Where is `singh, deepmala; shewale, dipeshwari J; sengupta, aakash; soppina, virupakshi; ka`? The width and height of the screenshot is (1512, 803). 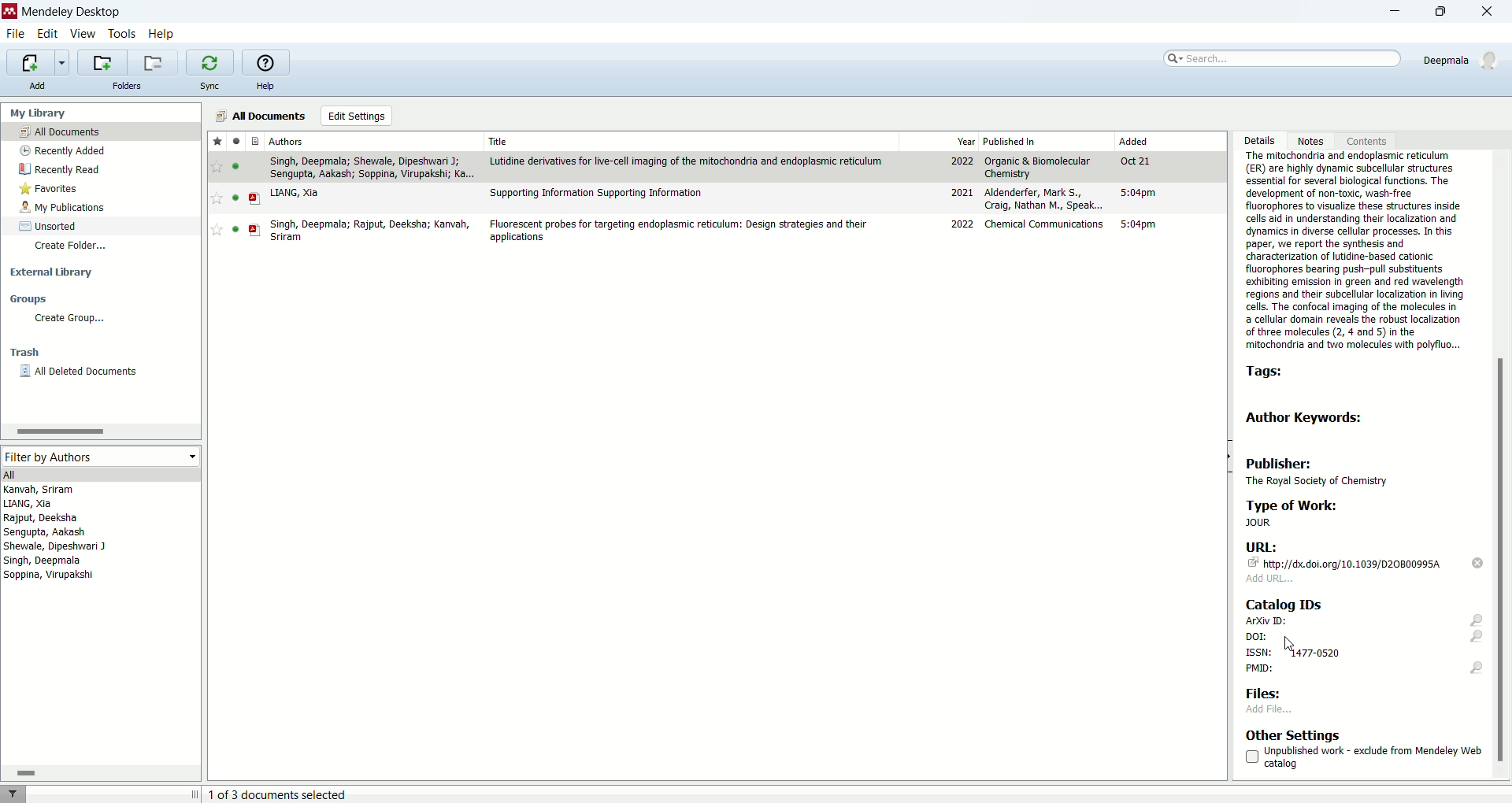 singh, deepmala; shewale, dipeshwari J; sengupta, aakash; soppina, virupakshi; ka is located at coordinates (372, 168).